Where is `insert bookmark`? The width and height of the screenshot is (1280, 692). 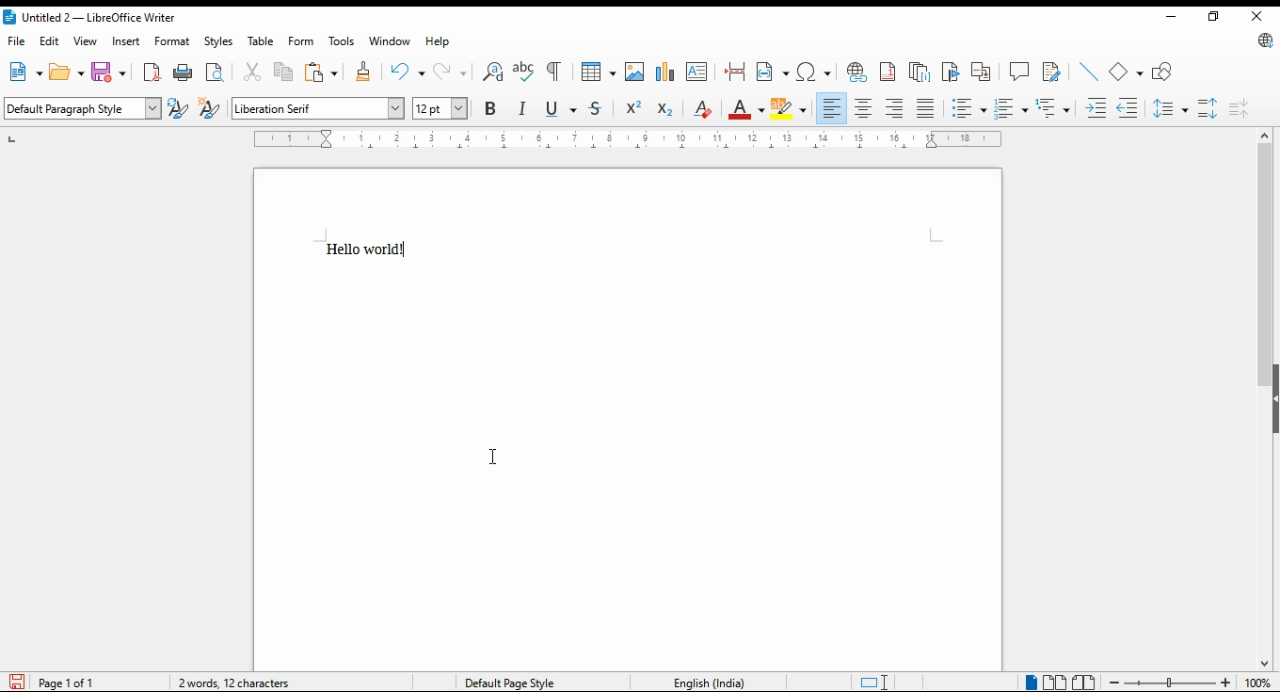 insert bookmark is located at coordinates (953, 72).